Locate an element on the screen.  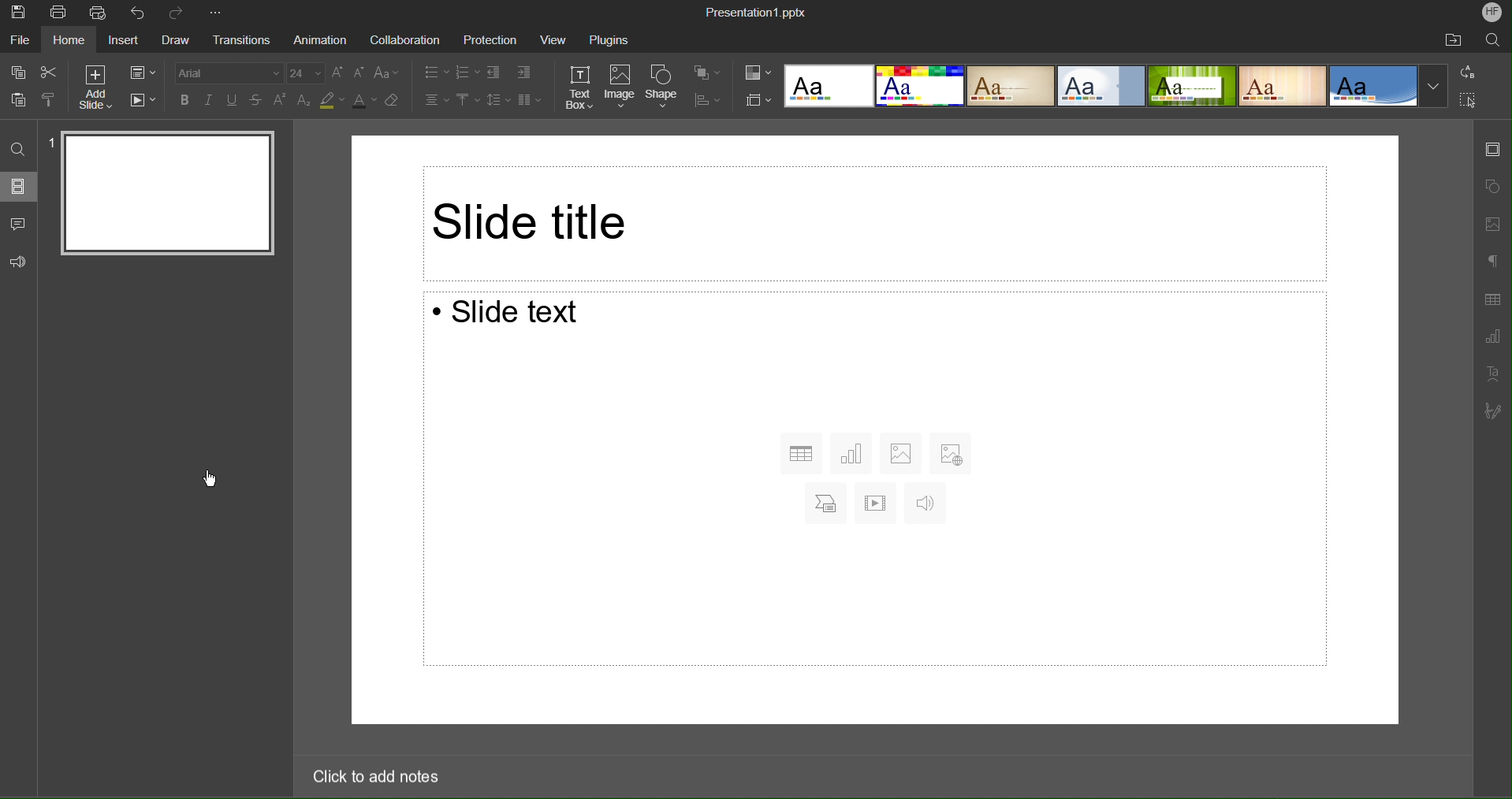
bold is located at coordinates (182, 99).